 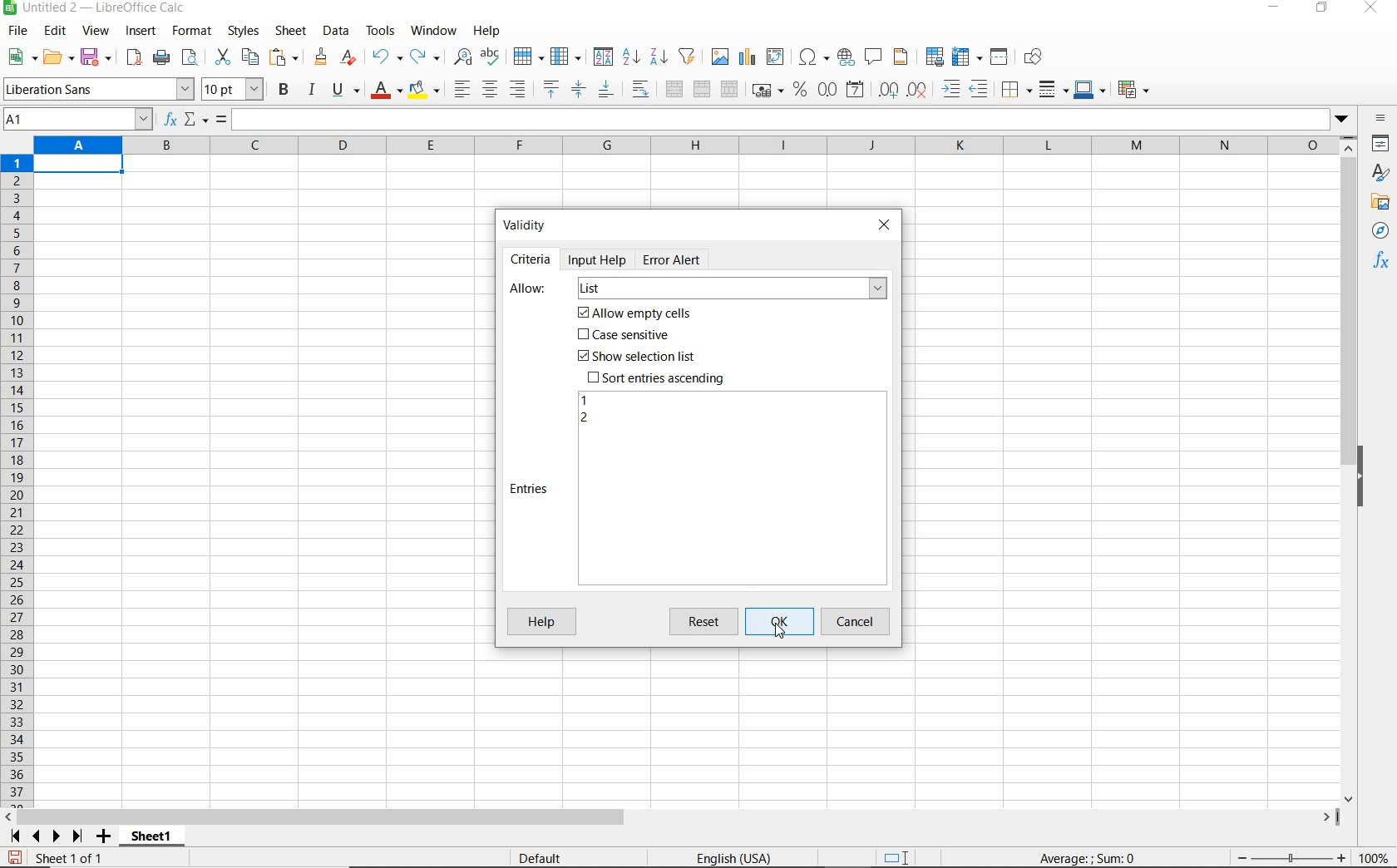 What do you see at coordinates (75, 859) in the screenshot?
I see `sheet 1 of 1` at bounding box center [75, 859].